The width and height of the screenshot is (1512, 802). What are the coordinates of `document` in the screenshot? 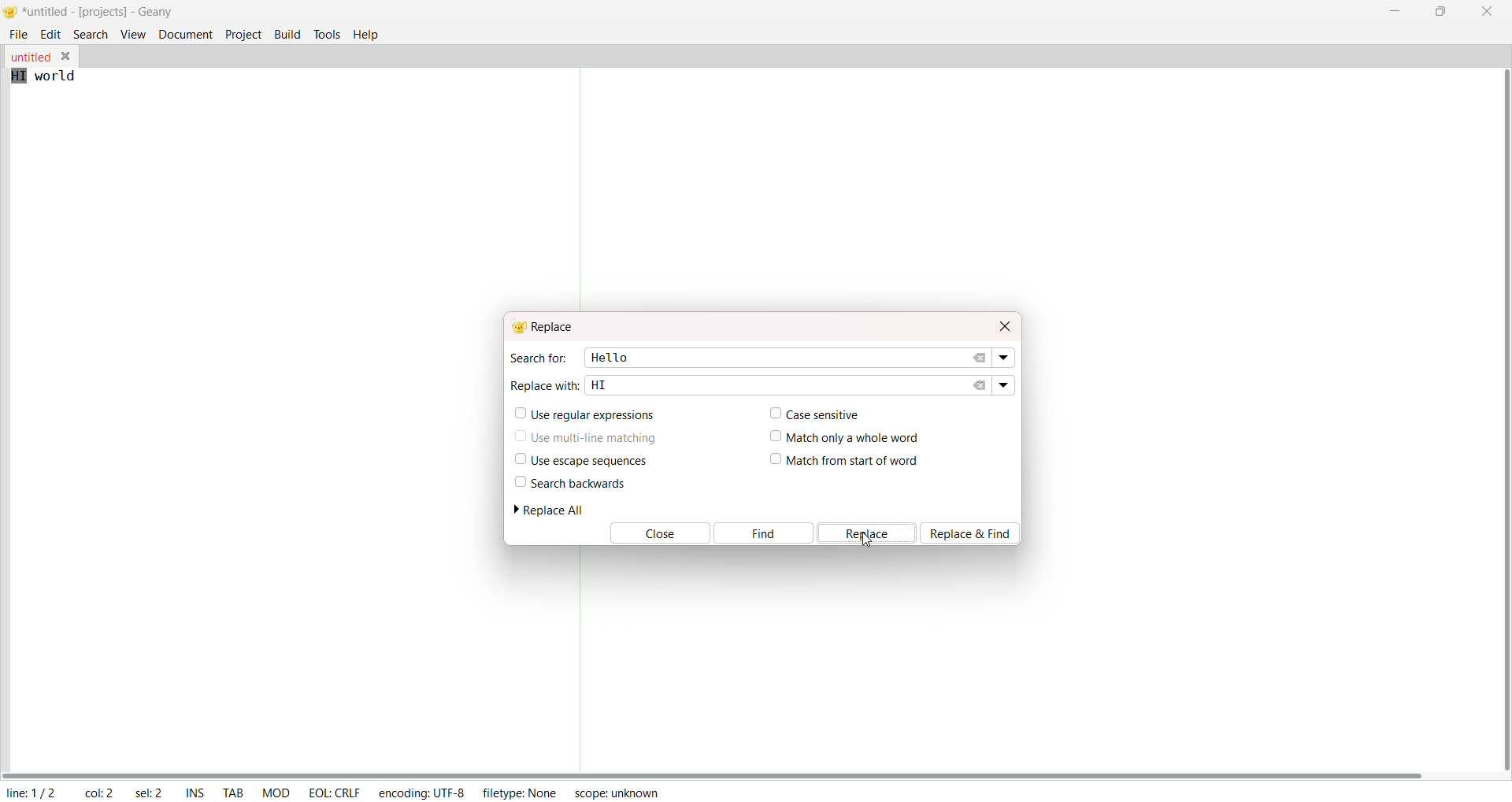 It's located at (186, 33).